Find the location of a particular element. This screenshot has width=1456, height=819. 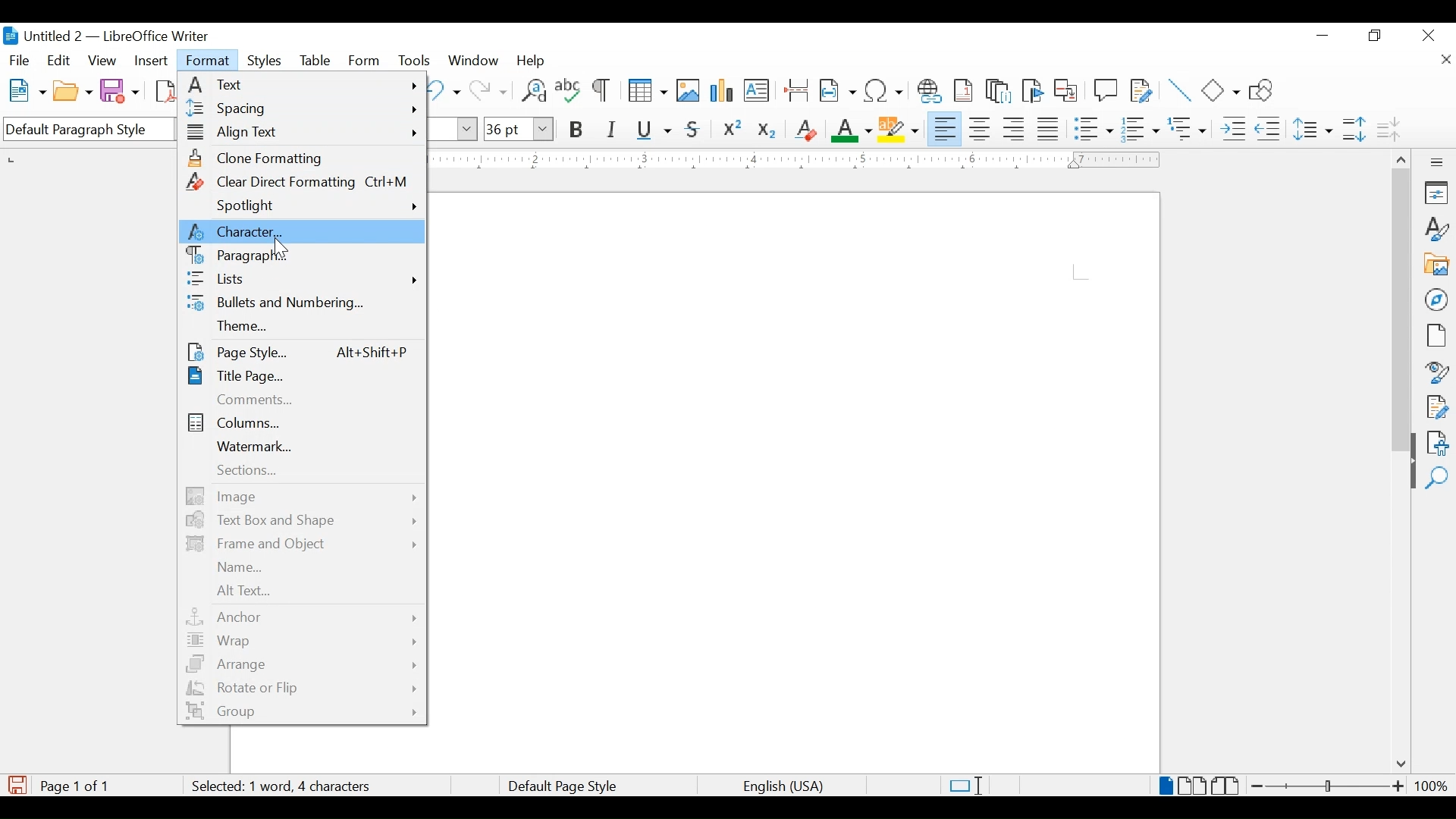

insert hyperlink is located at coordinates (930, 91).